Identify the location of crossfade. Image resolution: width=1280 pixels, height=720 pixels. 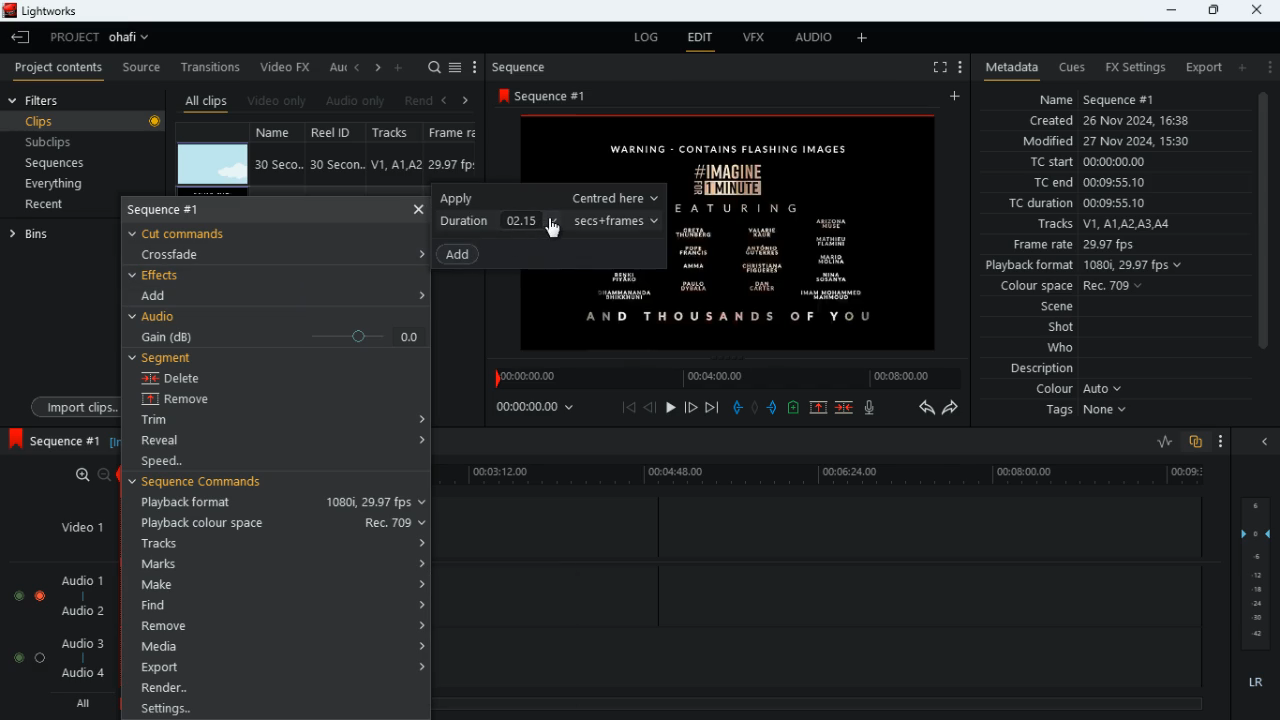
(182, 254).